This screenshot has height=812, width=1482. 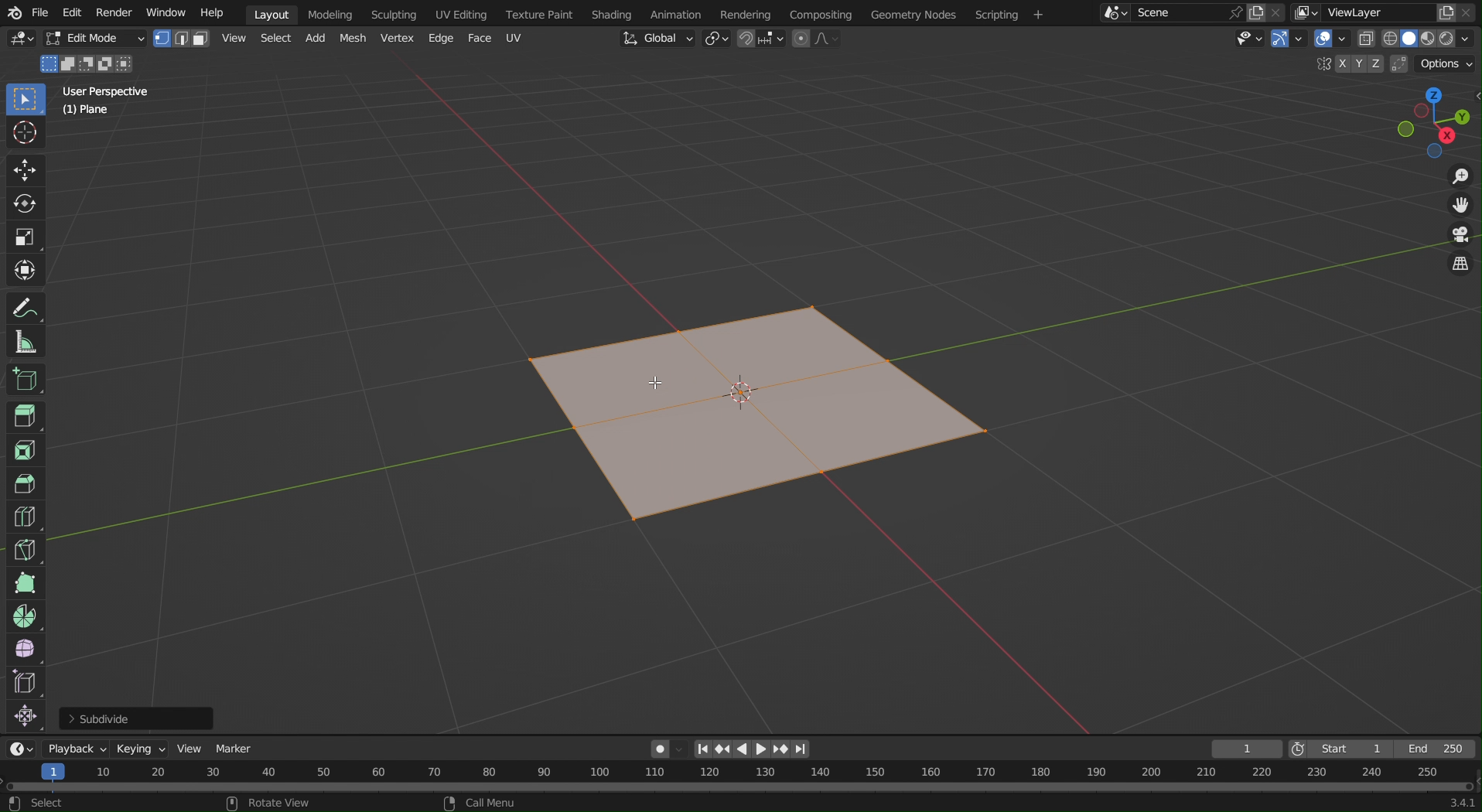 I want to click on Marker, so click(x=236, y=750).